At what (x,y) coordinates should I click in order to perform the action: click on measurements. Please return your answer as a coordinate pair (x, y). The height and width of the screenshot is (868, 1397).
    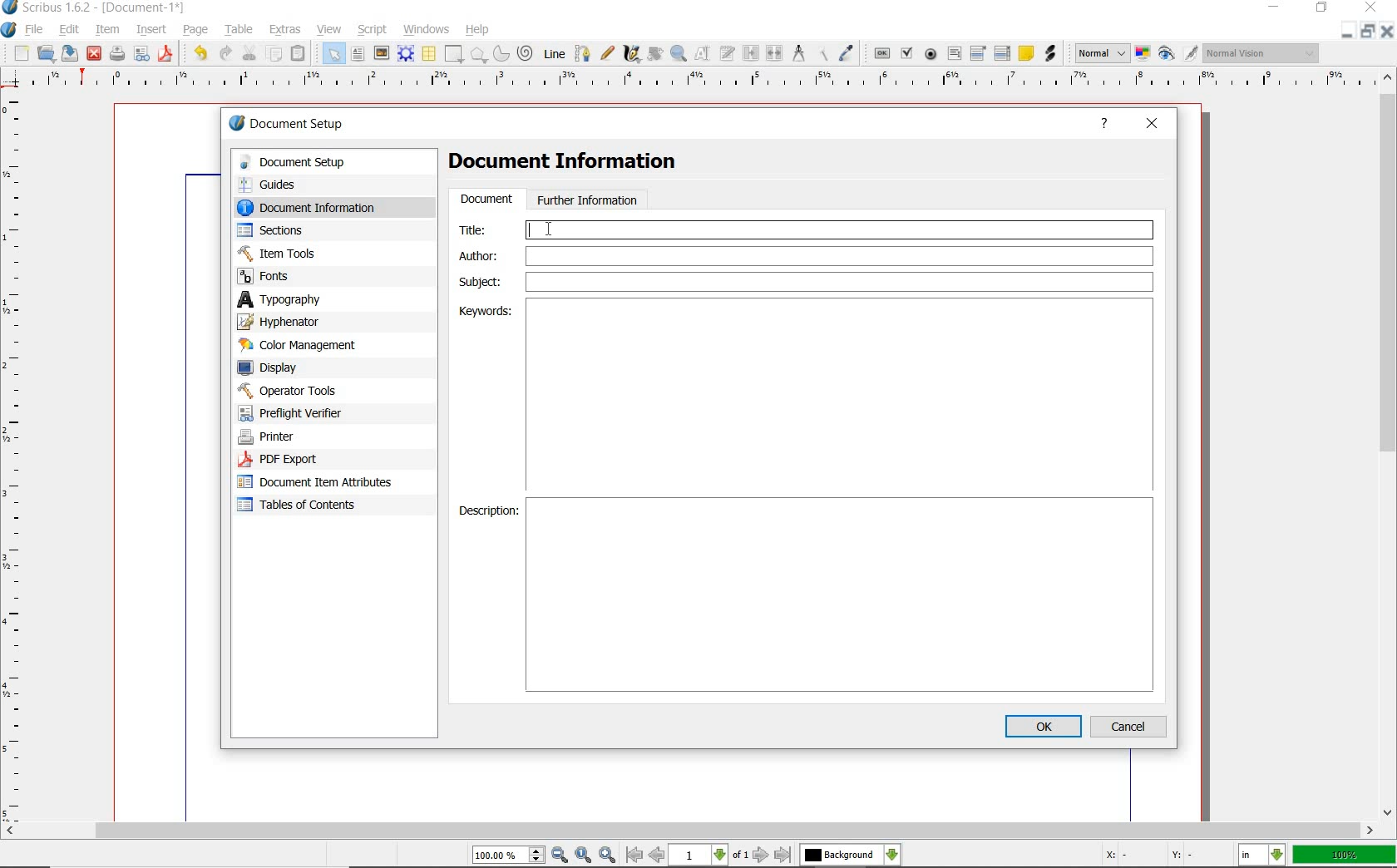
    Looking at the image, I should click on (797, 53).